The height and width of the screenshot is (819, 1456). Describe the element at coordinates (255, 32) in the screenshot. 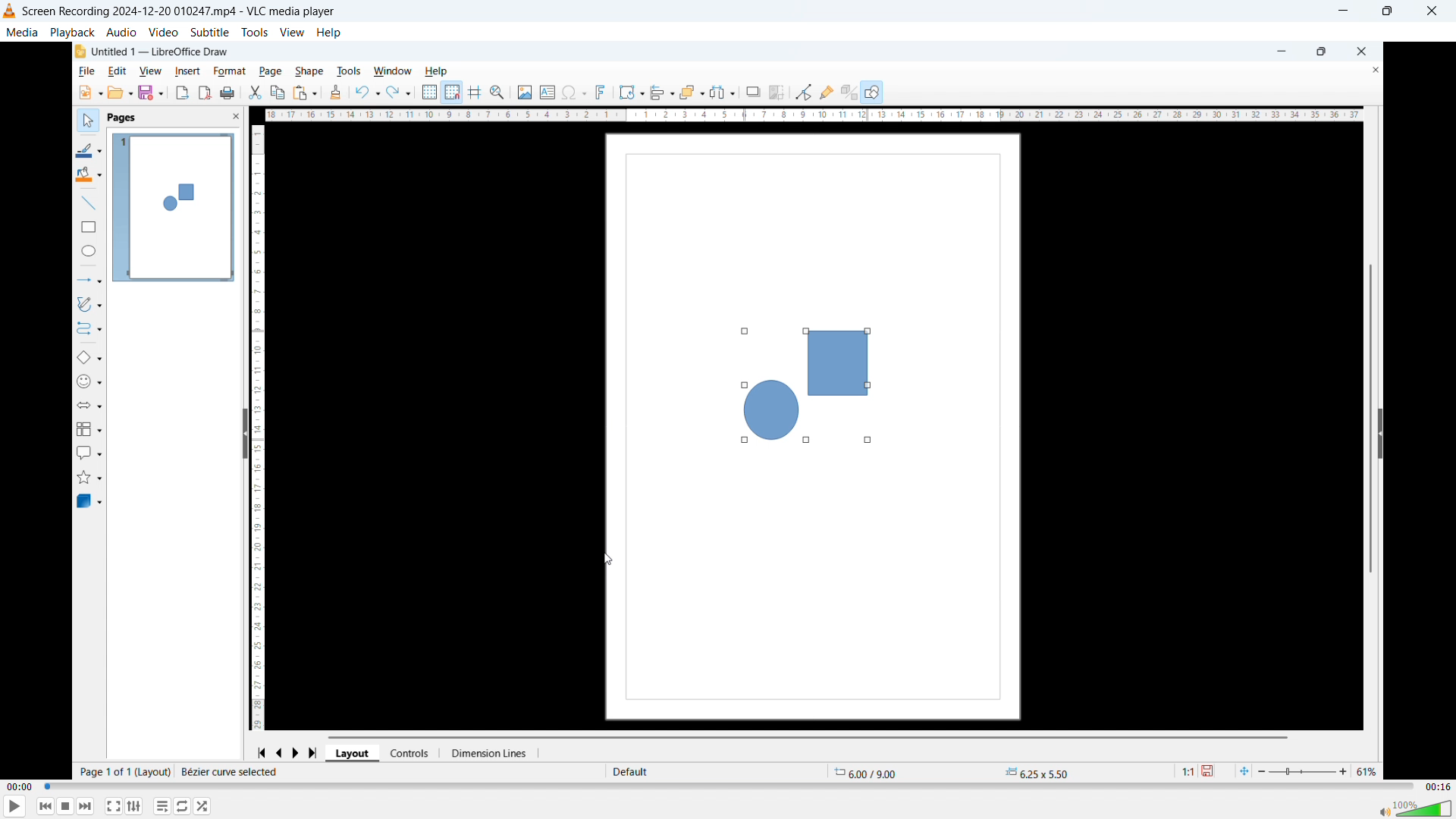

I see `Tools ` at that location.